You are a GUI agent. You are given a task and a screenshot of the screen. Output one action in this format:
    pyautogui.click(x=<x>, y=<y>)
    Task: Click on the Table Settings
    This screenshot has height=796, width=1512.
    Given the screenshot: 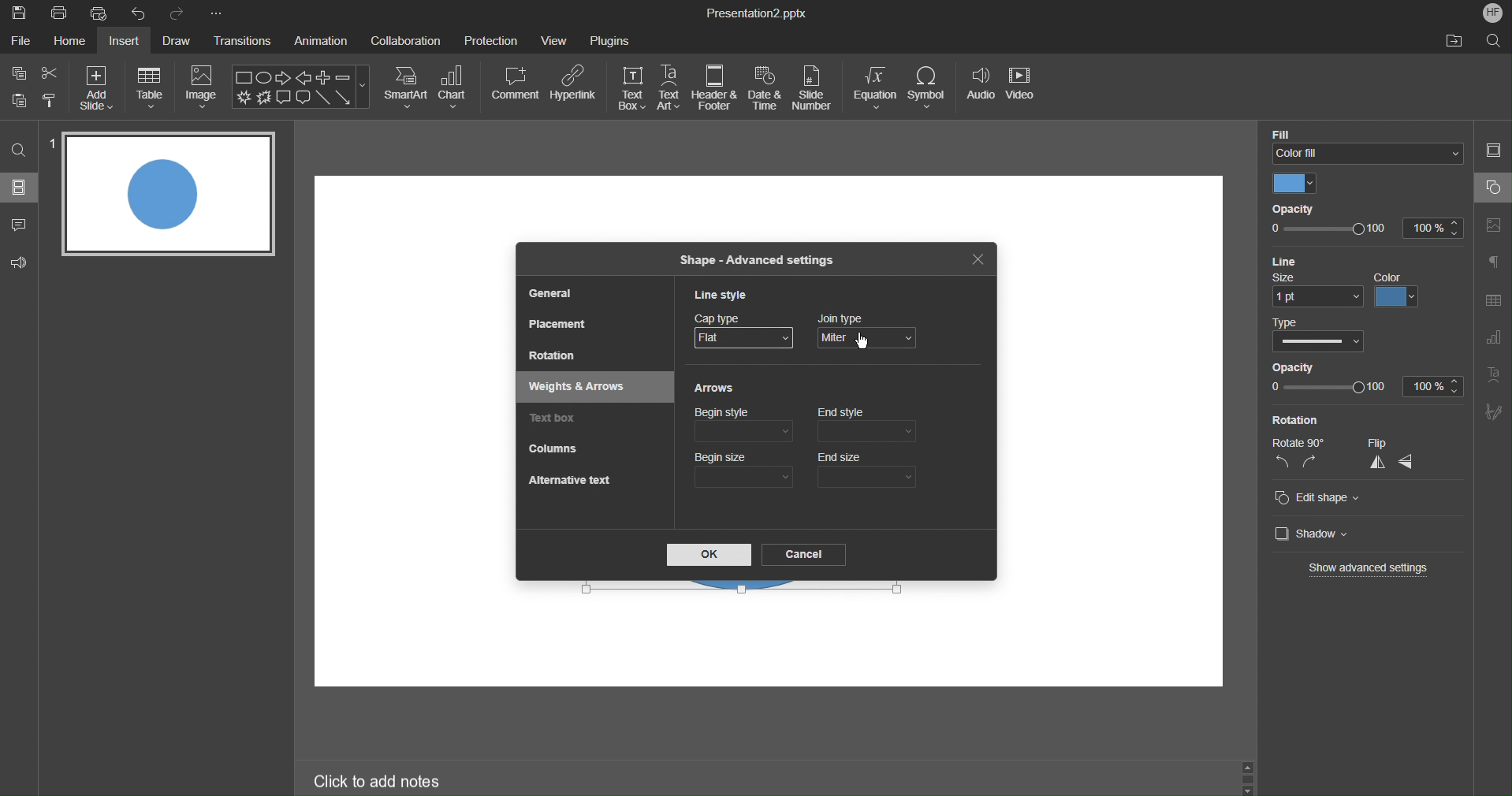 What is the action you would take?
    pyautogui.click(x=1492, y=300)
    